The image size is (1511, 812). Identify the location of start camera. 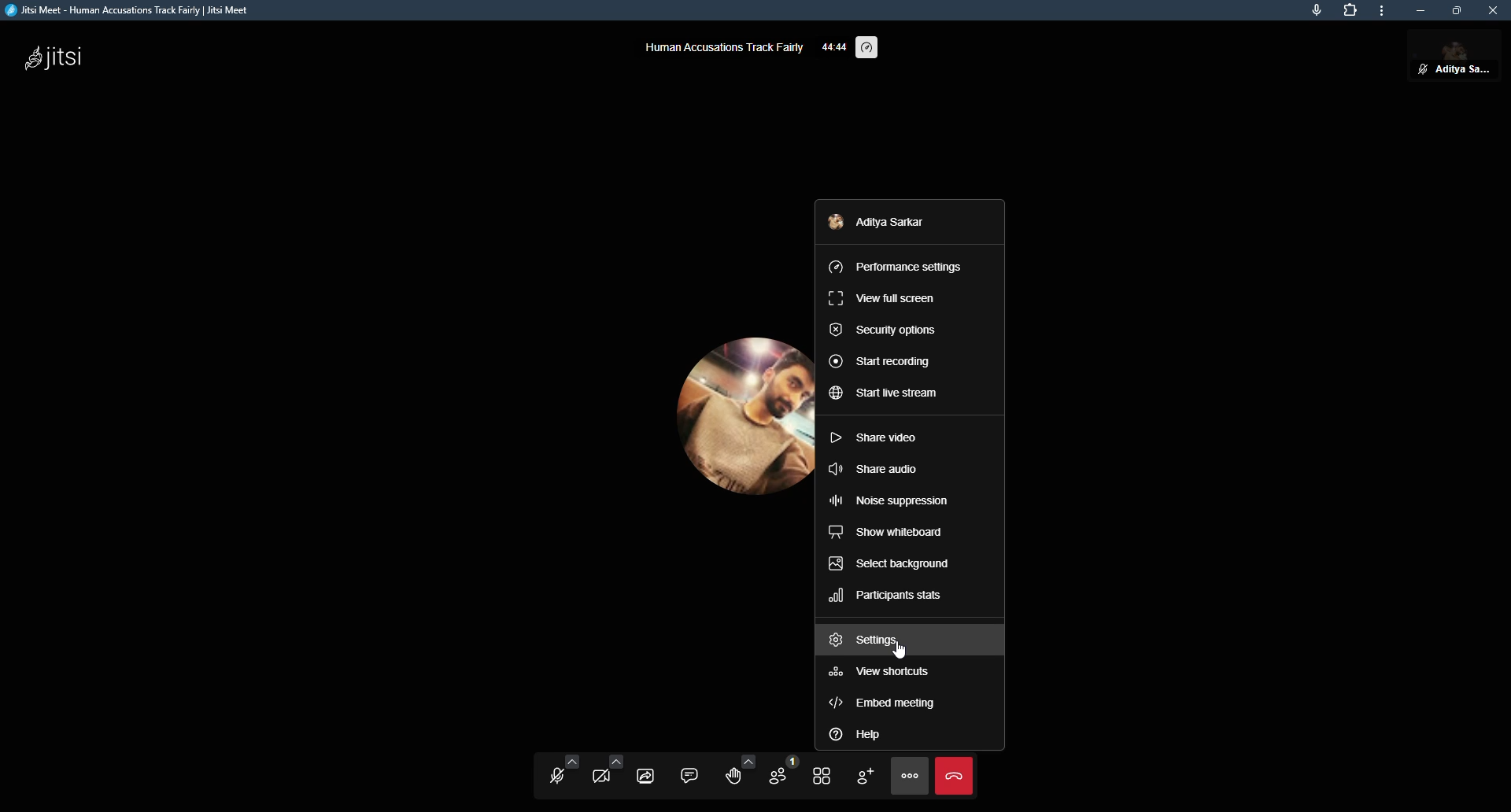
(604, 774).